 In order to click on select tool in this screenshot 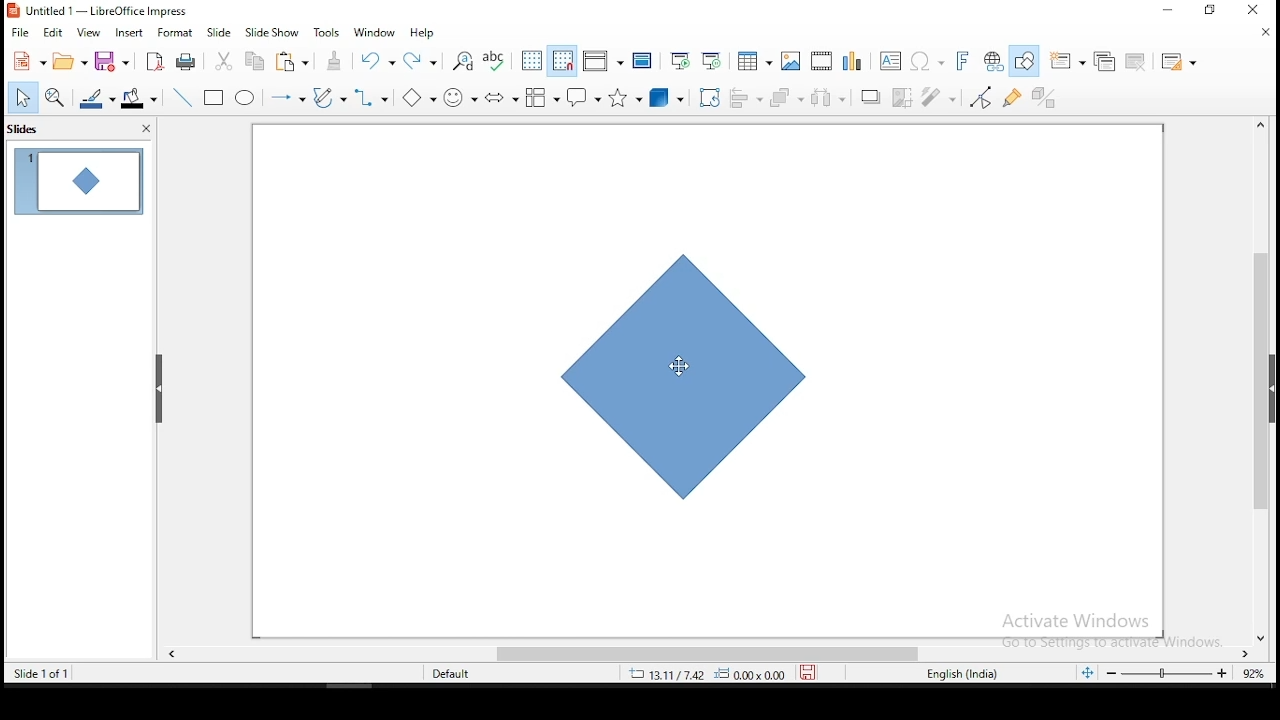, I will do `click(18, 99)`.